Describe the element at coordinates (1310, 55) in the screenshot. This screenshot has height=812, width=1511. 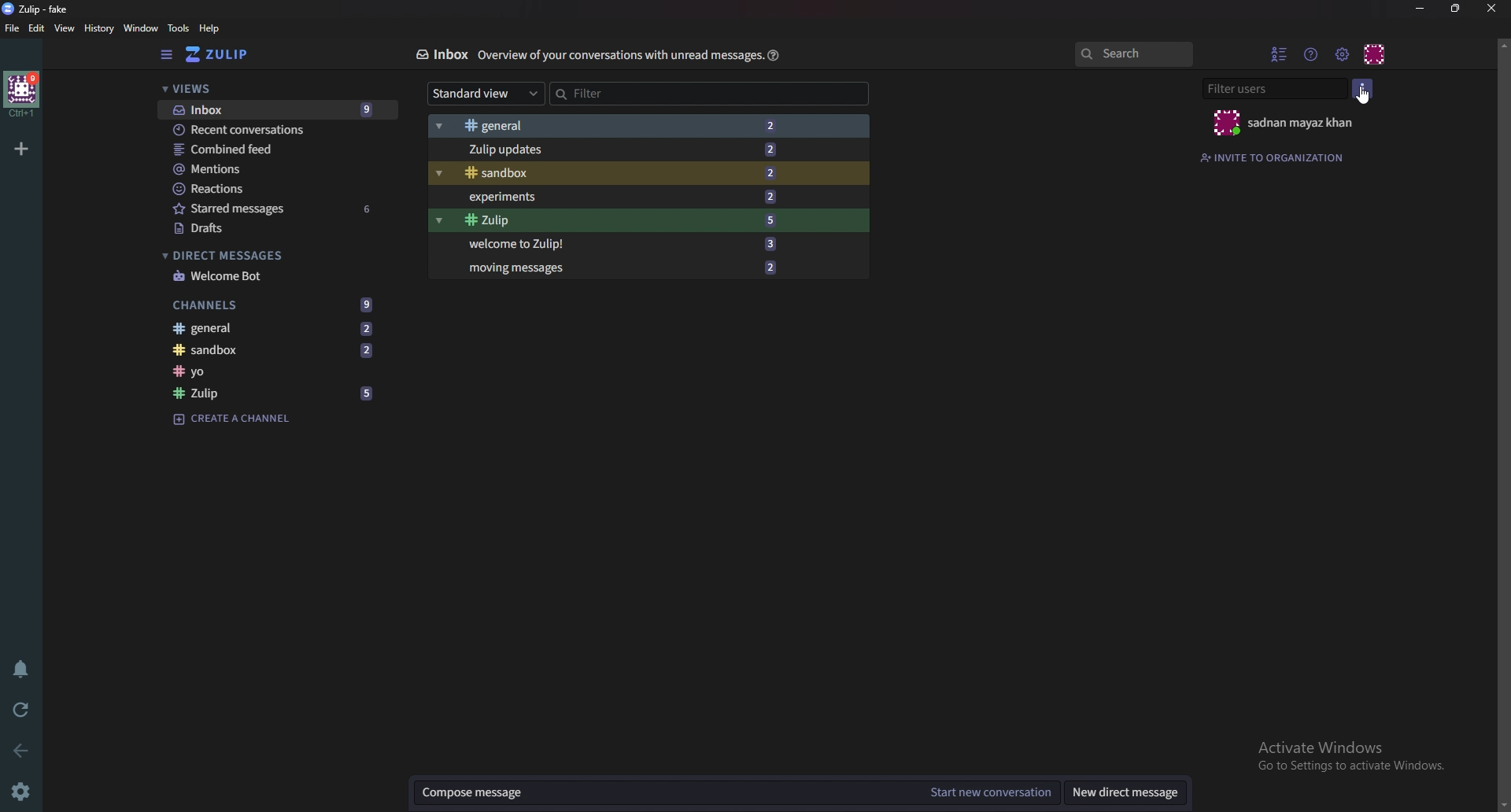
I see `Help menu` at that location.